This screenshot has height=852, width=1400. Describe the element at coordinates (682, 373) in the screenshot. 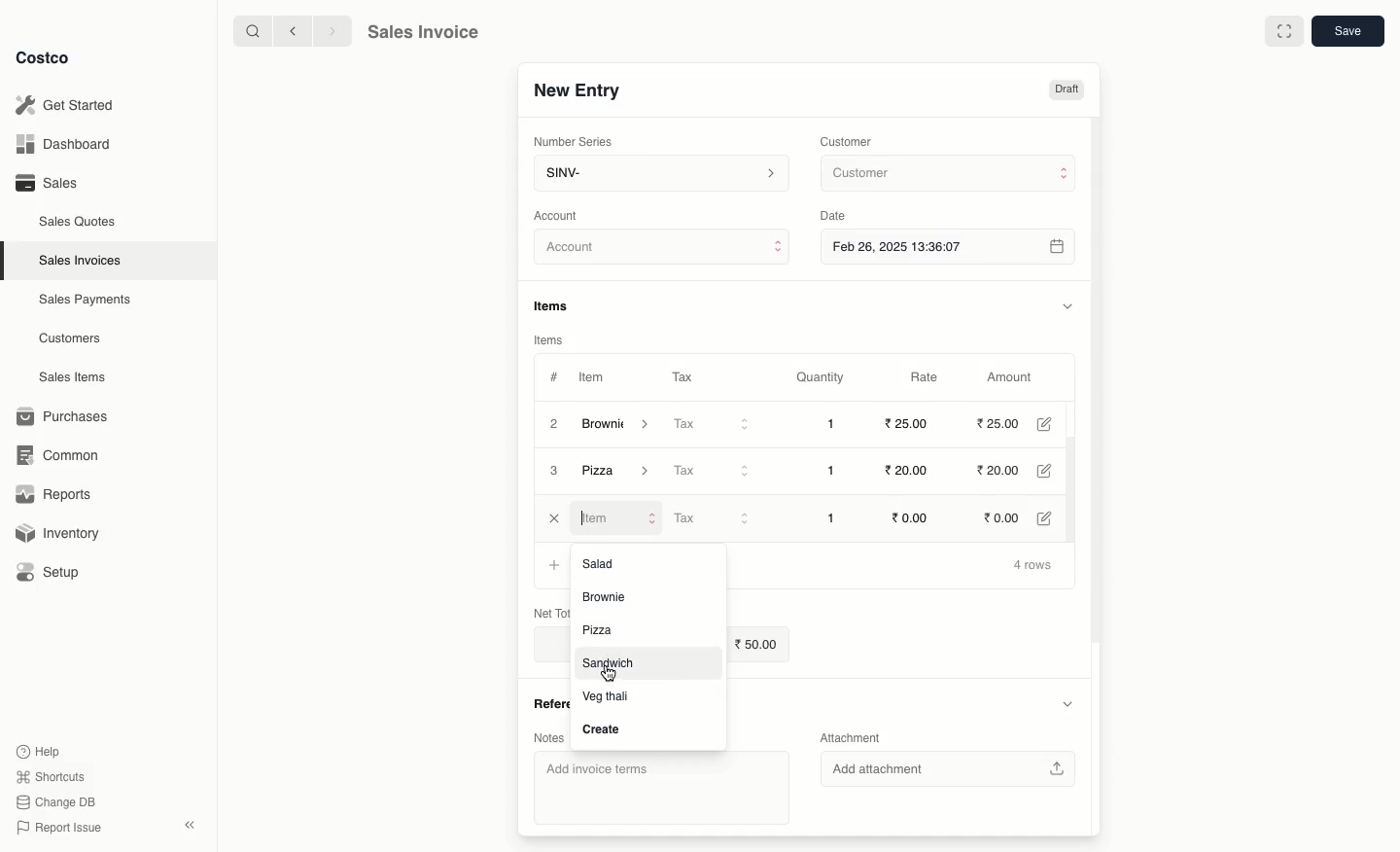

I see `Tax` at that location.